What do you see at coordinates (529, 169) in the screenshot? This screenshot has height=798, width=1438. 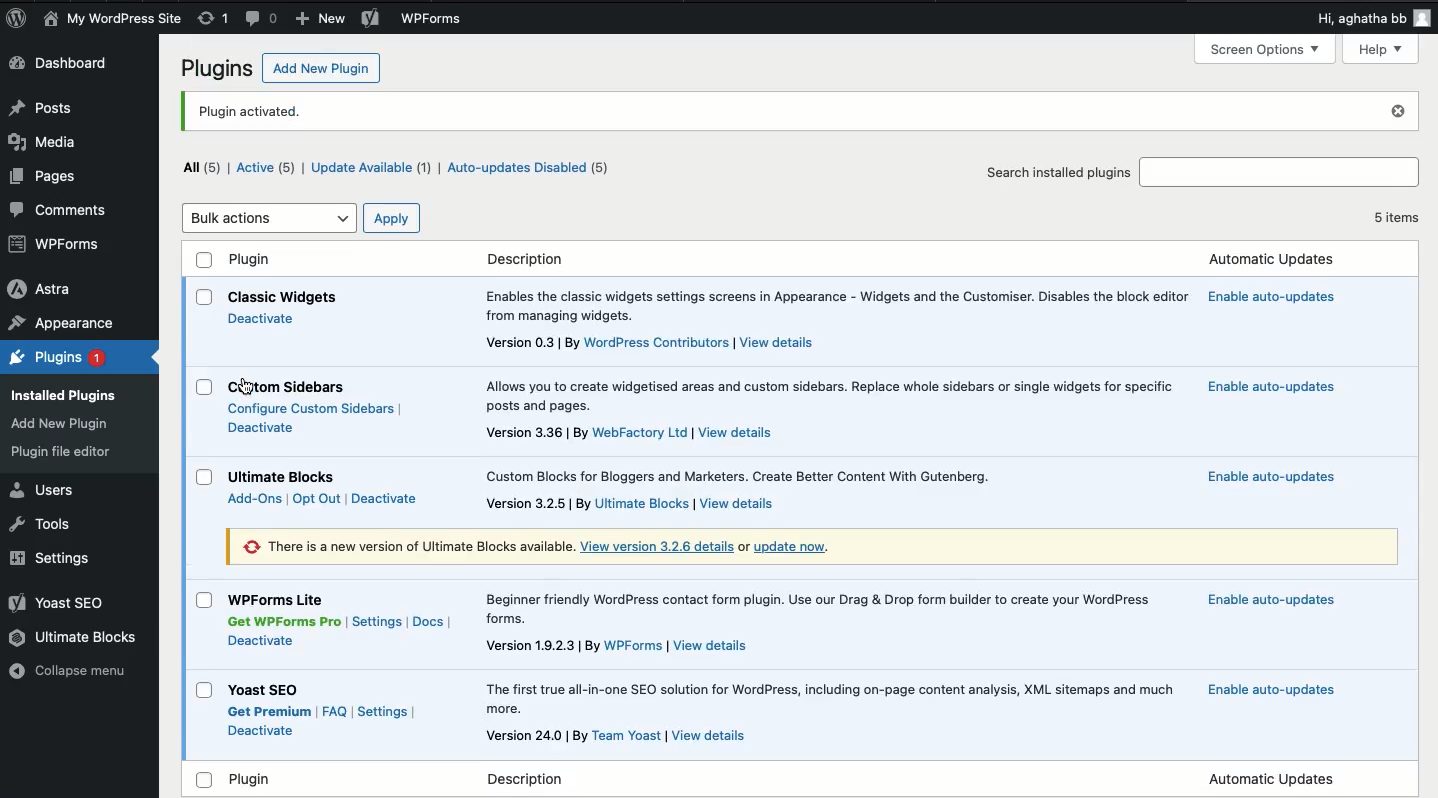 I see `Auto updates disabled` at bounding box center [529, 169].